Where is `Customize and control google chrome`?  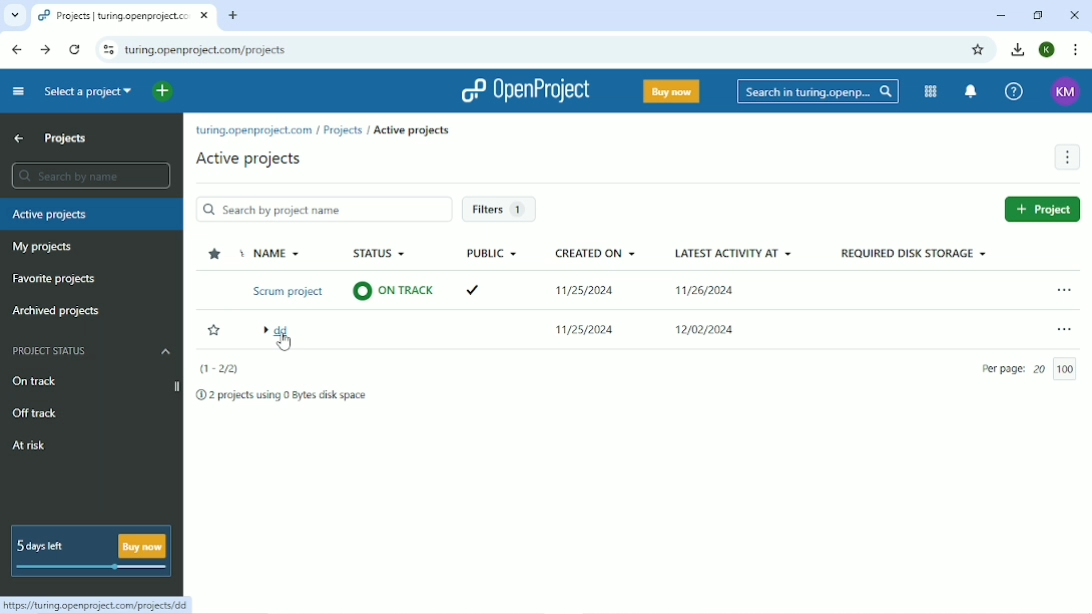 Customize and control google chrome is located at coordinates (1078, 50).